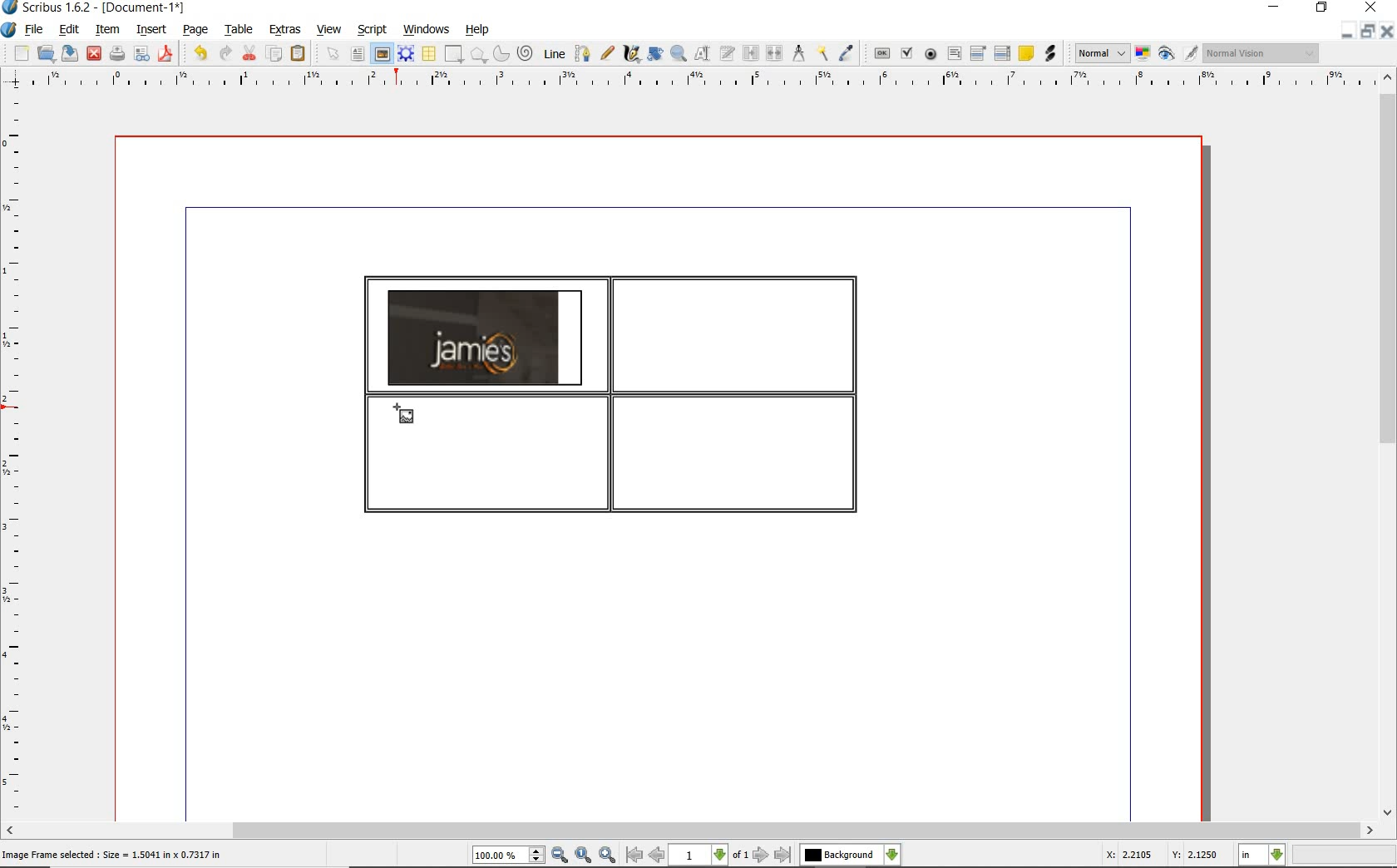  I want to click on image frame, so click(403, 416).